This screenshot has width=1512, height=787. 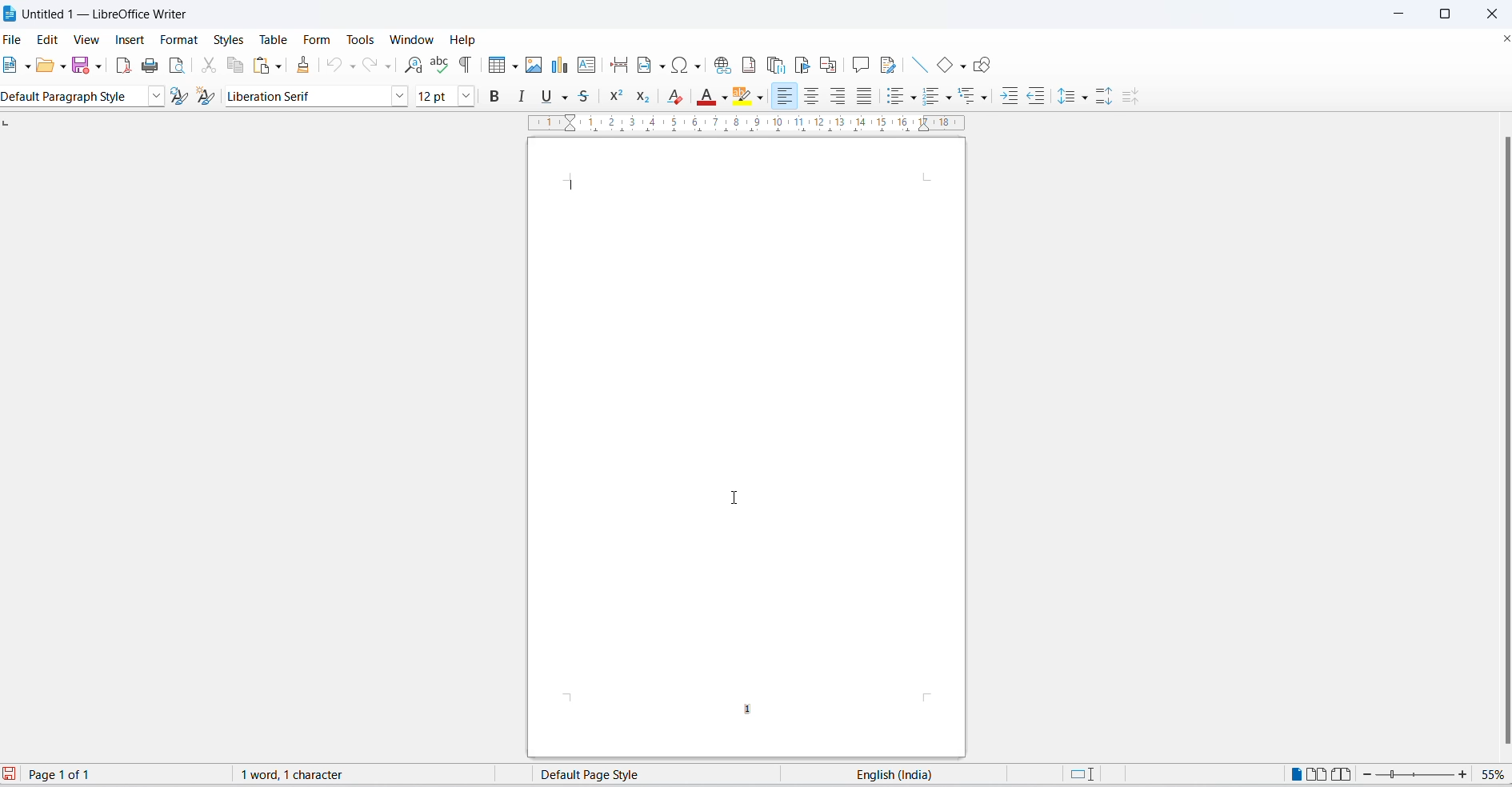 I want to click on increase indent, so click(x=1010, y=98).